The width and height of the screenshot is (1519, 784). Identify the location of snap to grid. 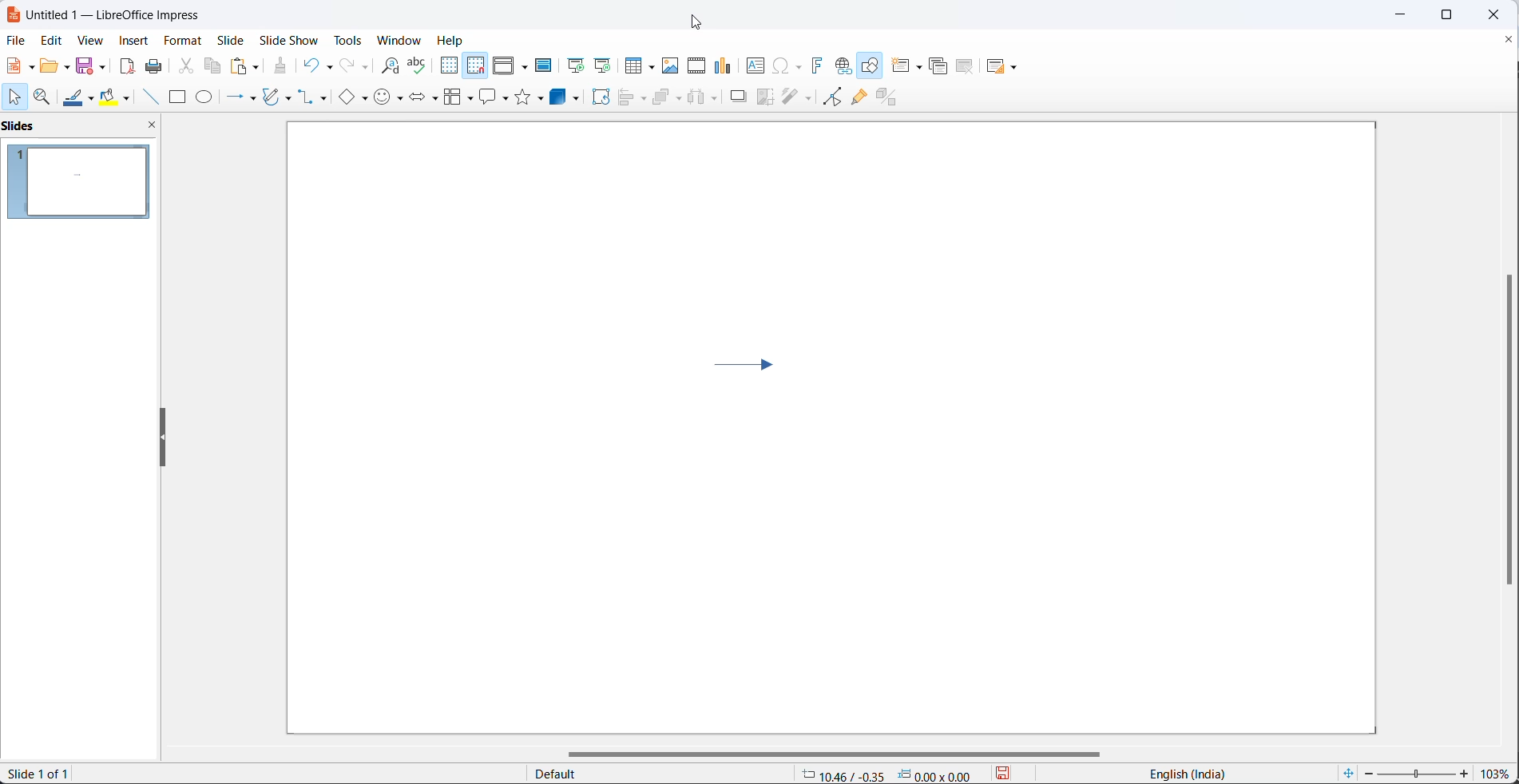
(474, 65).